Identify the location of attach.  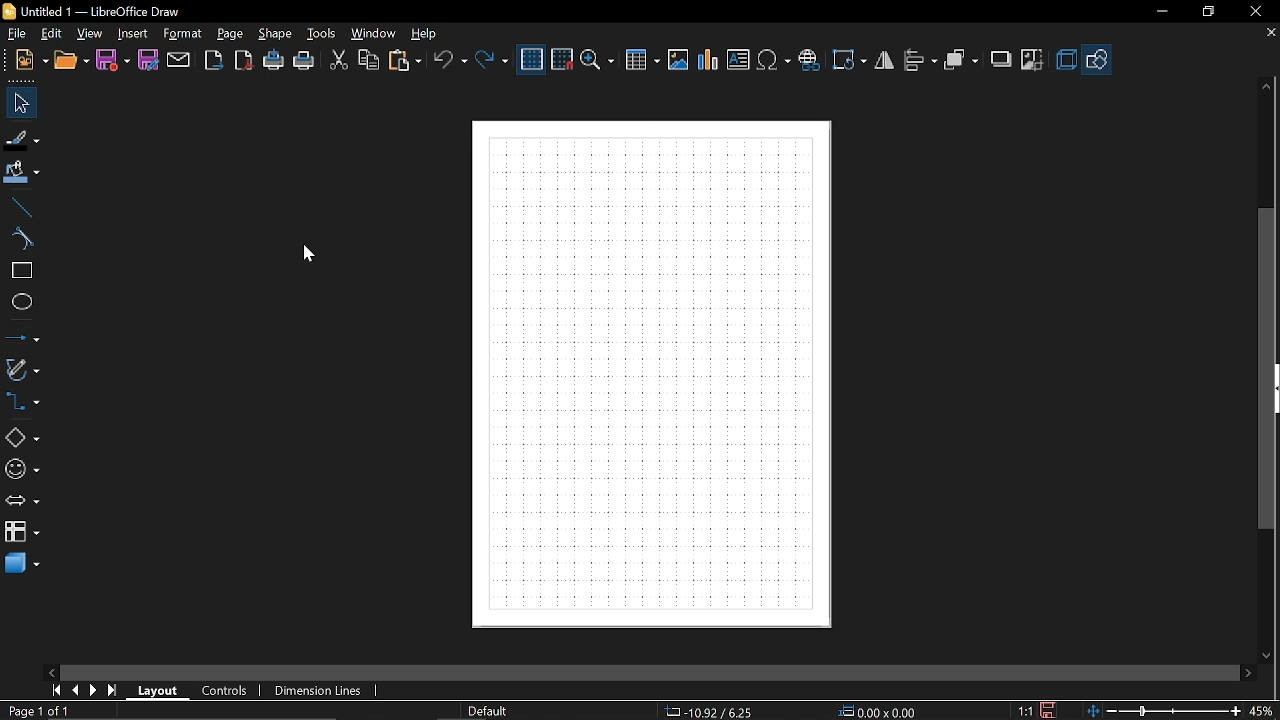
(180, 61).